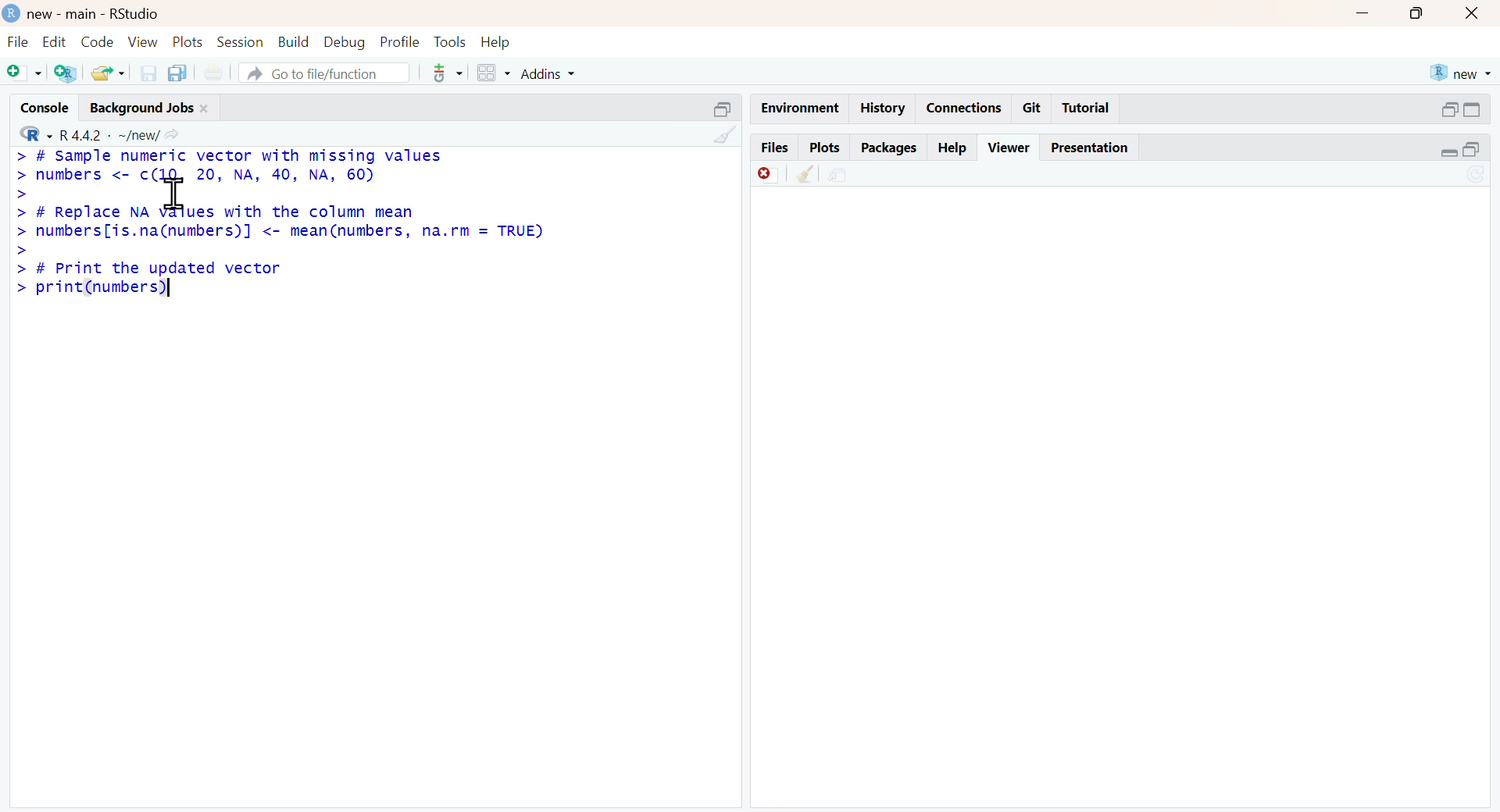 The image size is (1500, 812). Describe the element at coordinates (724, 109) in the screenshot. I see `open in separate window` at that location.